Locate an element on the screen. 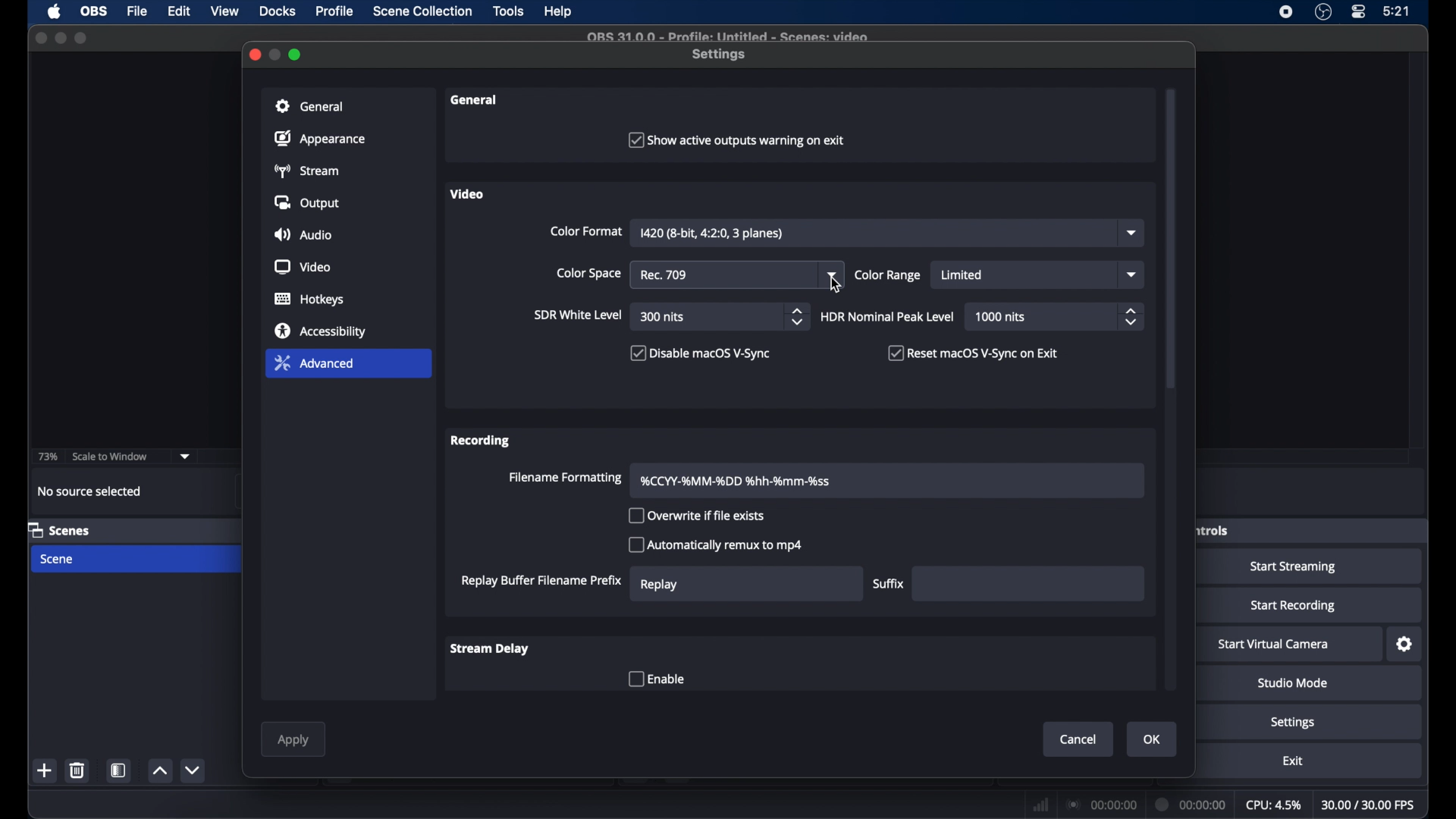  stepper buttons is located at coordinates (798, 316).